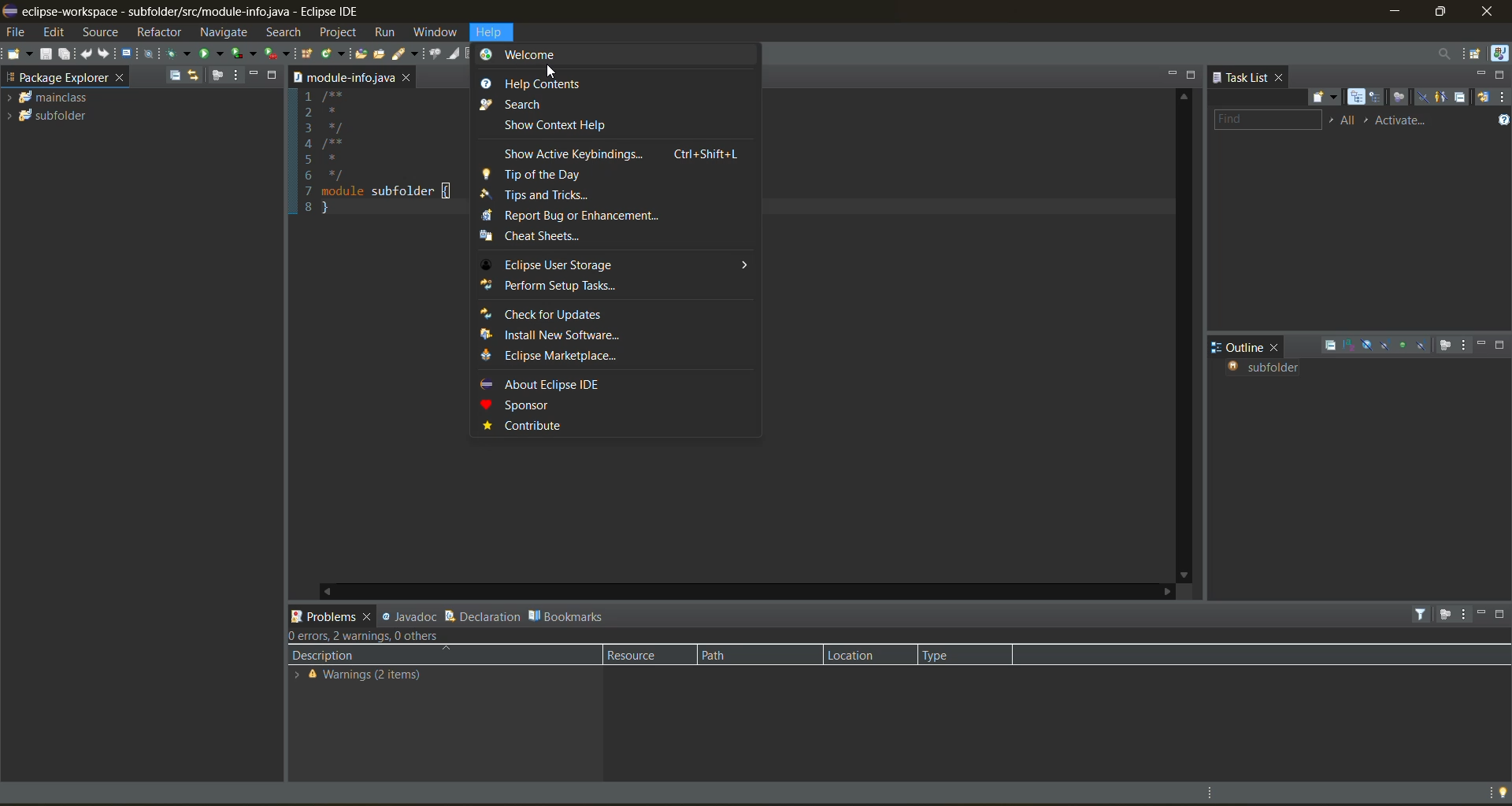 This screenshot has height=806, width=1512. Describe the element at coordinates (546, 194) in the screenshot. I see `tips and tricks` at that location.